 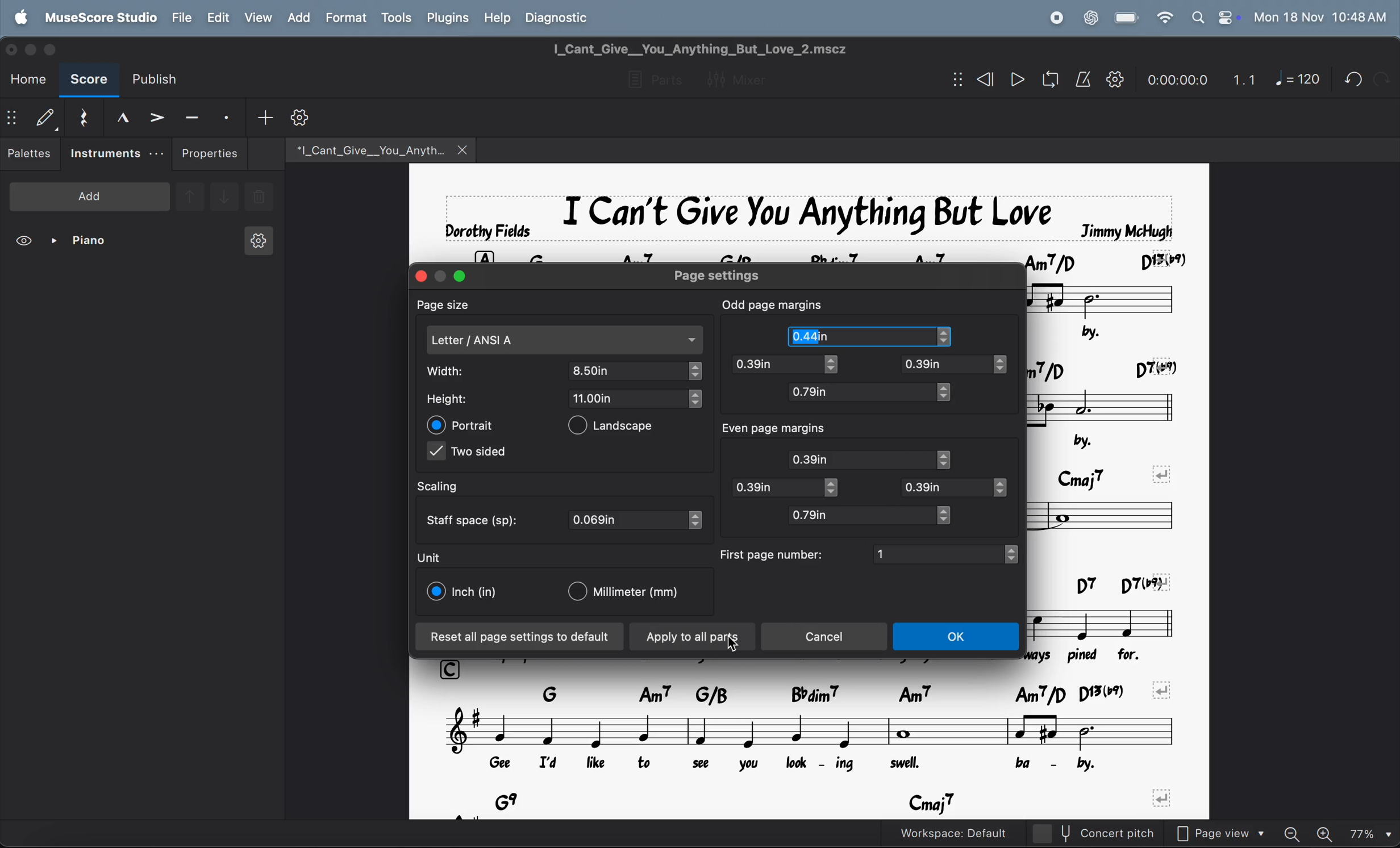 I want to click on search, so click(x=1197, y=17).